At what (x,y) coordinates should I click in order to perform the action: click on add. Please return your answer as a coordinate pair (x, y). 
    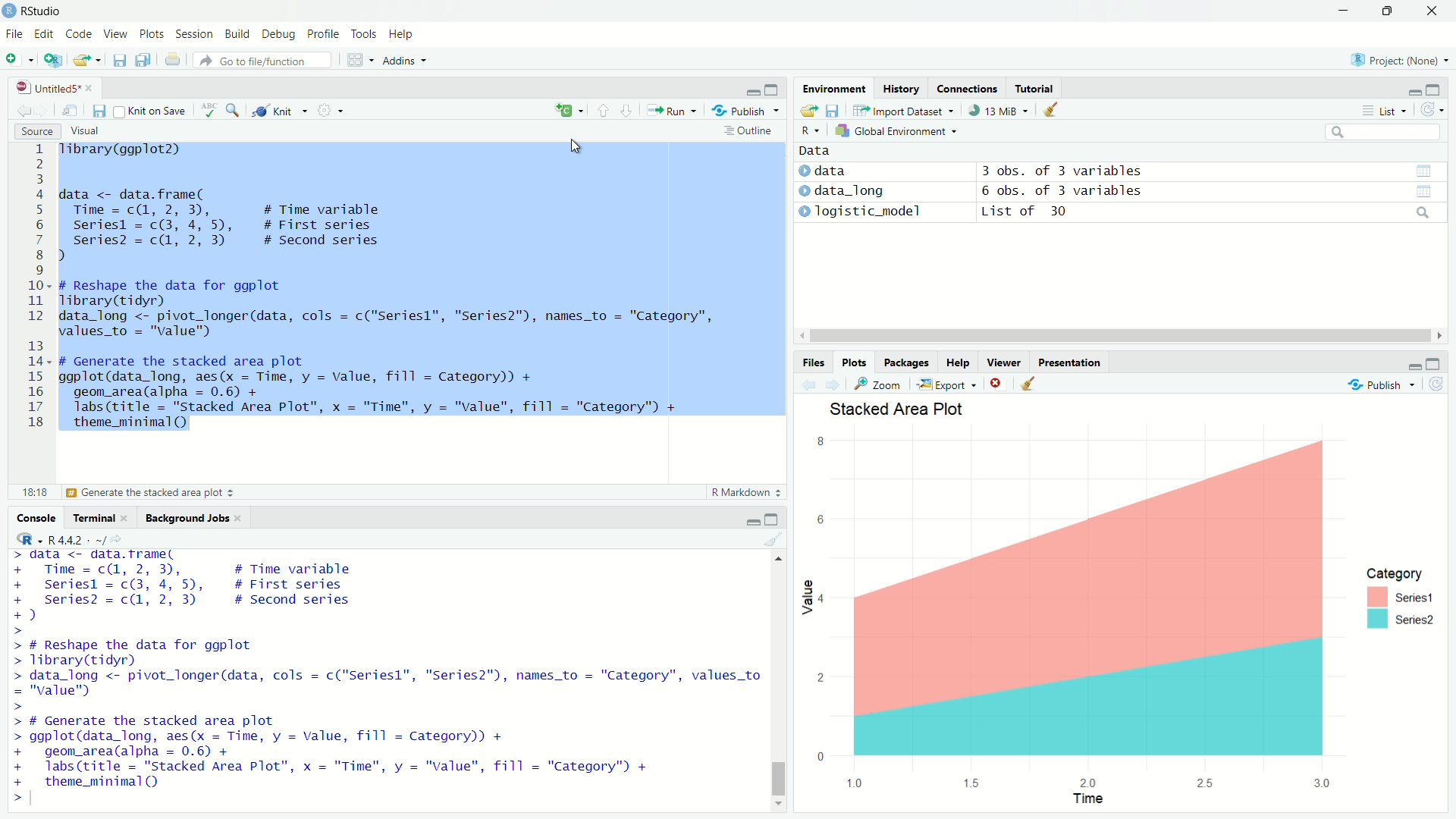
    Looking at the image, I should click on (567, 110).